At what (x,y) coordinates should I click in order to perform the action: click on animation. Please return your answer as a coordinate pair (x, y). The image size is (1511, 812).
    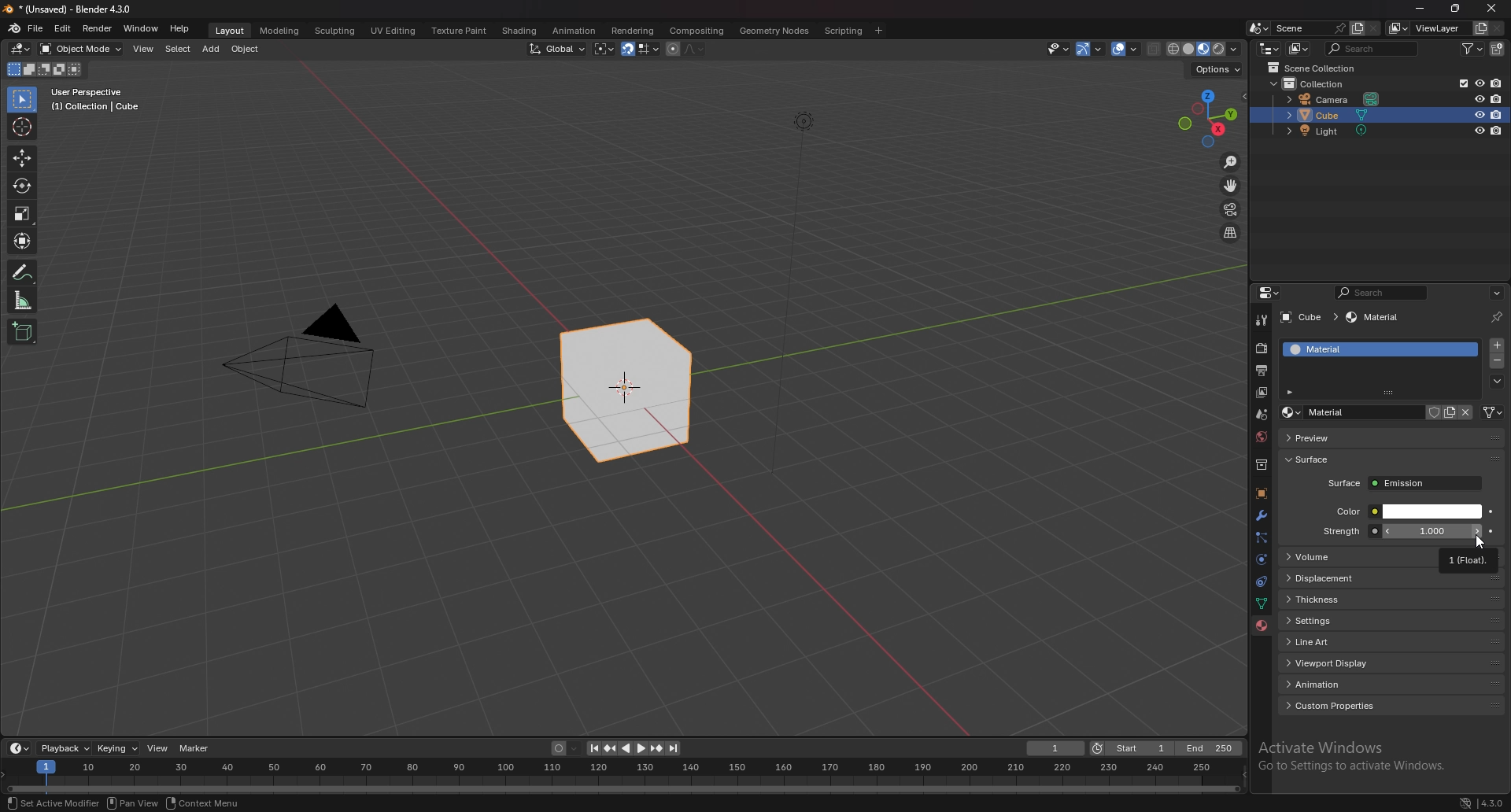
    Looking at the image, I should click on (573, 31).